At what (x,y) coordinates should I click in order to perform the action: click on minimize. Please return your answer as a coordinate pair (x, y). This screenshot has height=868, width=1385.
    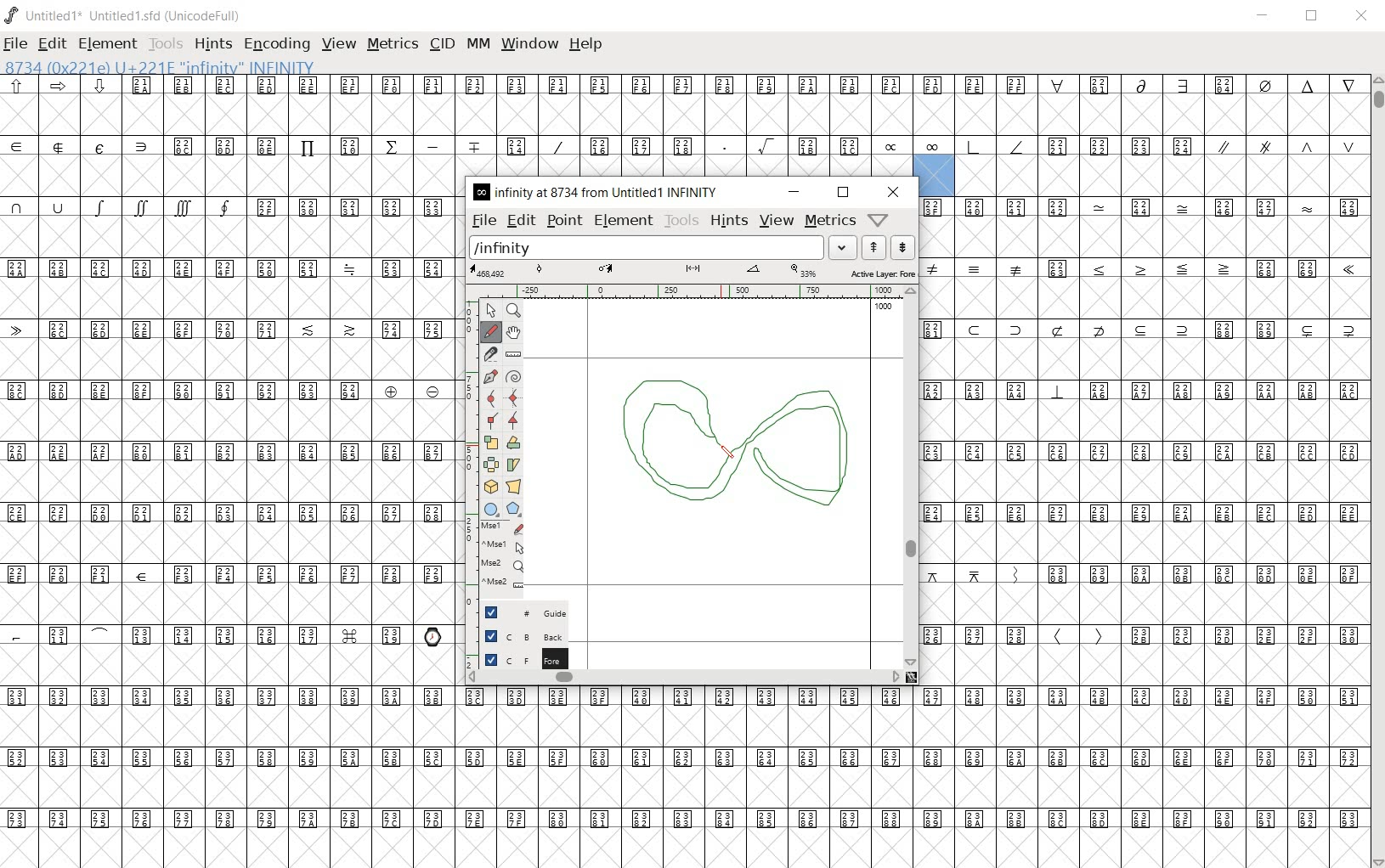
    Looking at the image, I should click on (1263, 16).